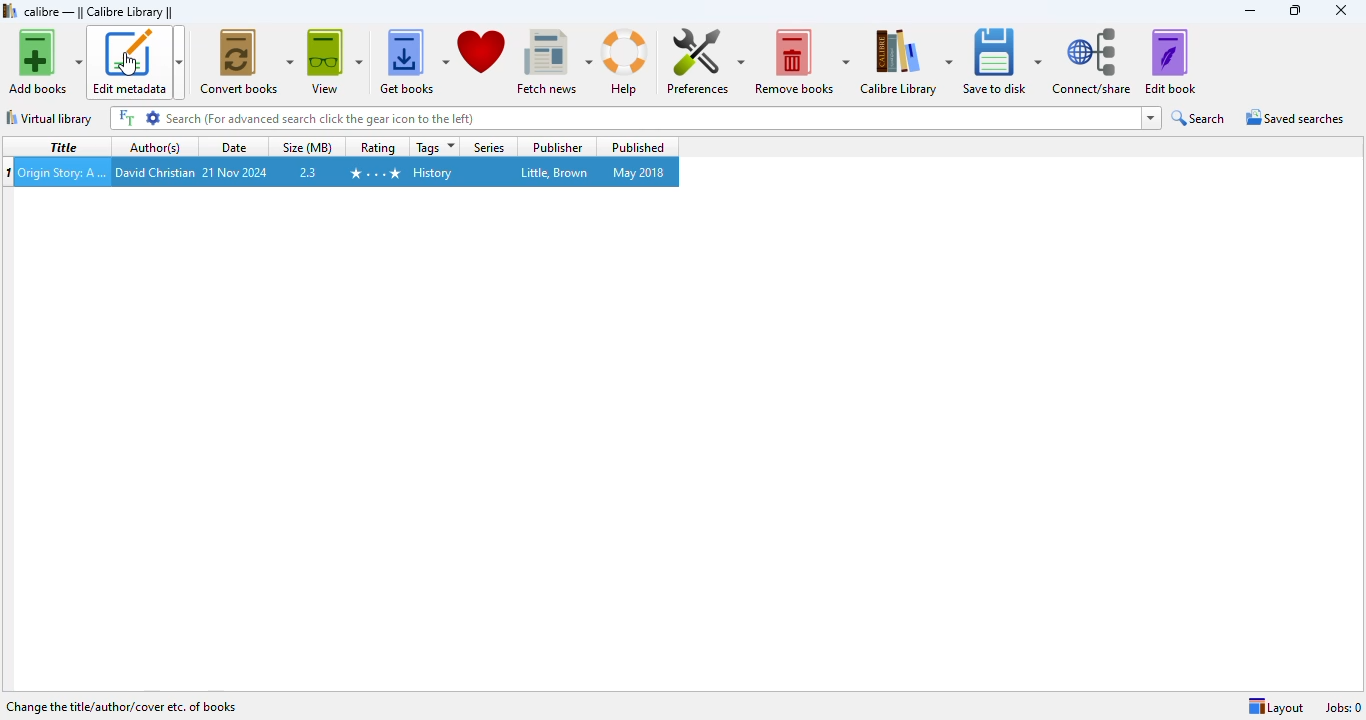 The width and height of the screenshot is (1366, 720). What do you see at coordinates (1345, 708) in the screenshot?
I see `jobs: 0` at bounding box center [1345, 708].